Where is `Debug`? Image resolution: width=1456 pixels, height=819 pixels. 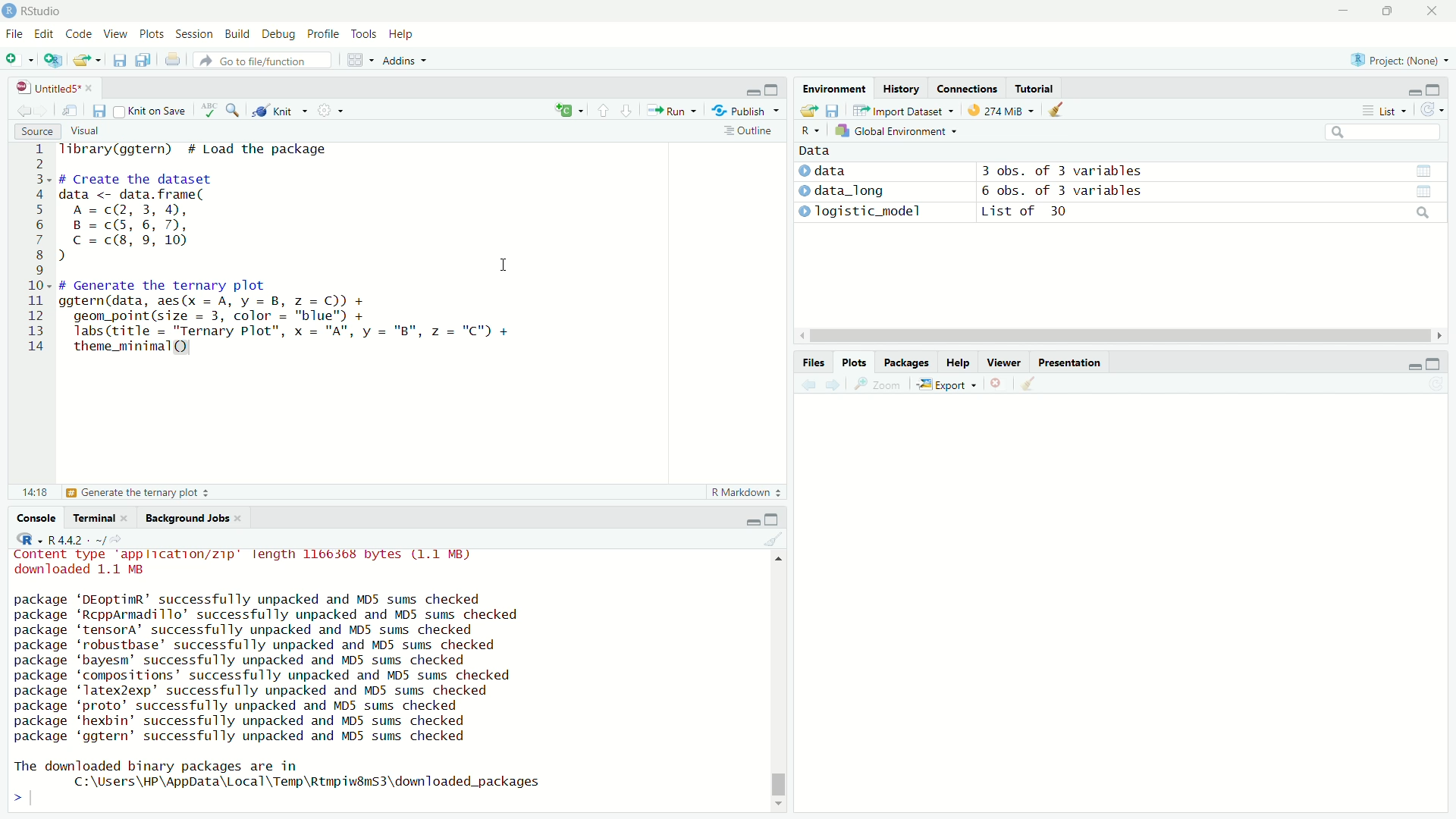 Debug is located at coordinates (275, 35).